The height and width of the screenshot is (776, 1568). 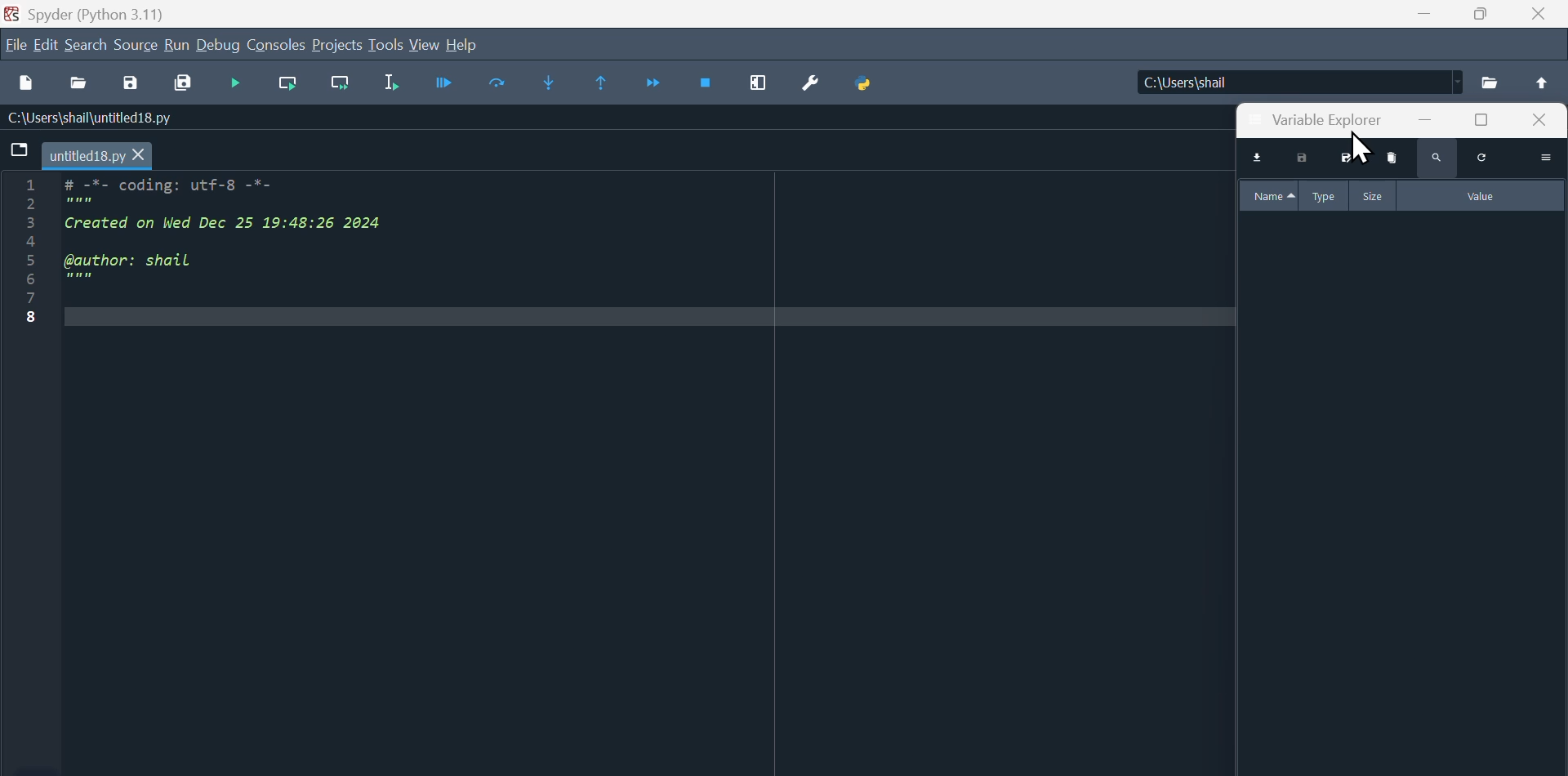 I want to click on , so click(x=452, y=88).